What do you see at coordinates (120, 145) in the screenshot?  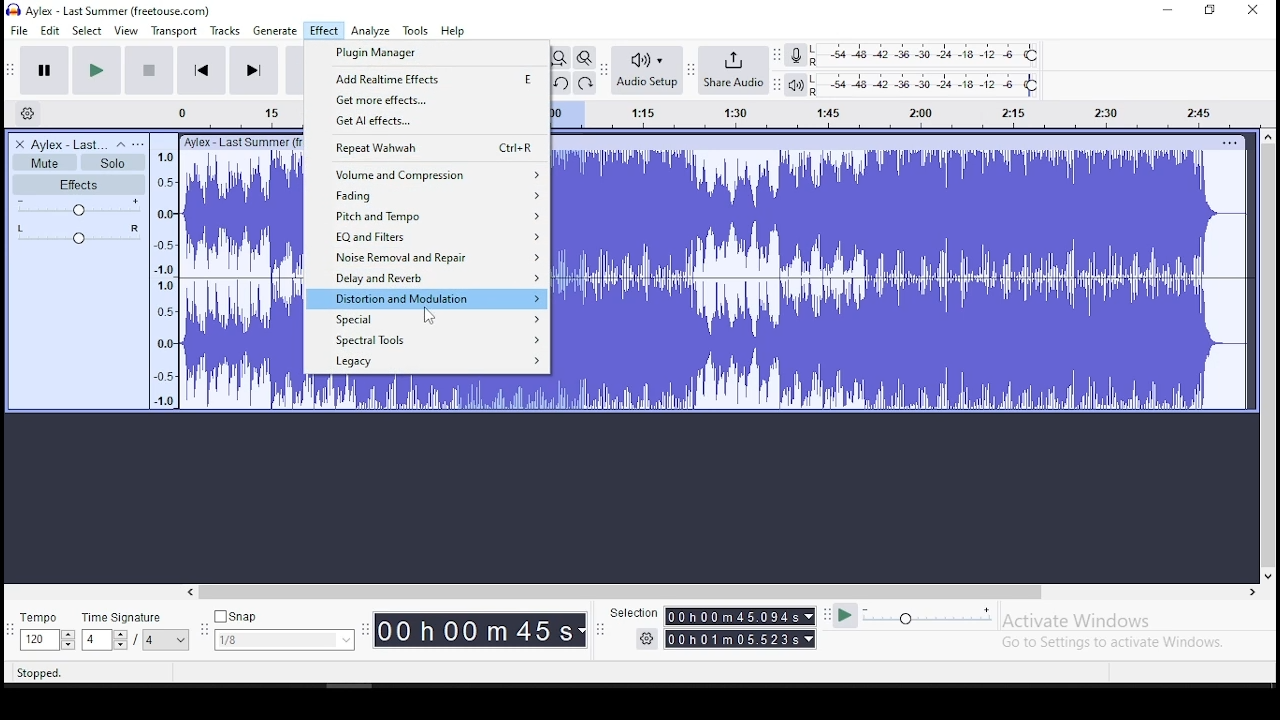 I see `collapse` at bounding box center [120, 145].